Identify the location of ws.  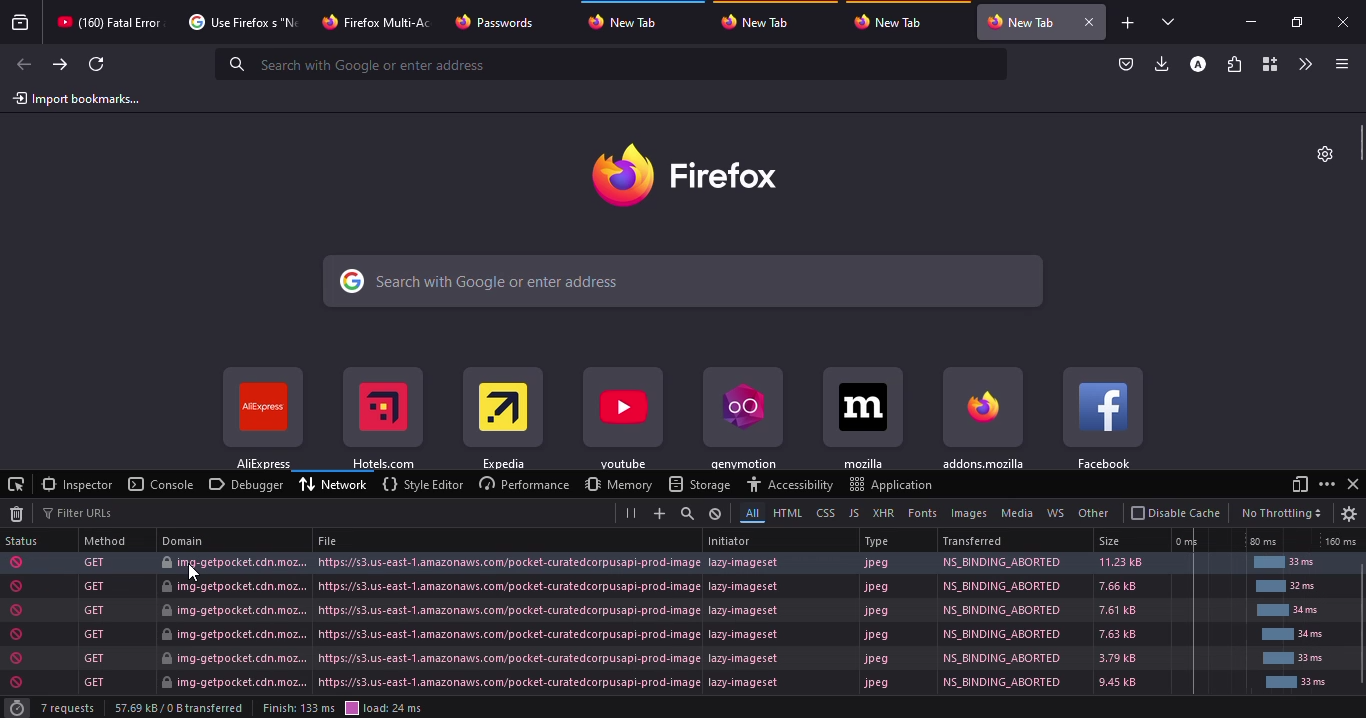
(1056, 513).